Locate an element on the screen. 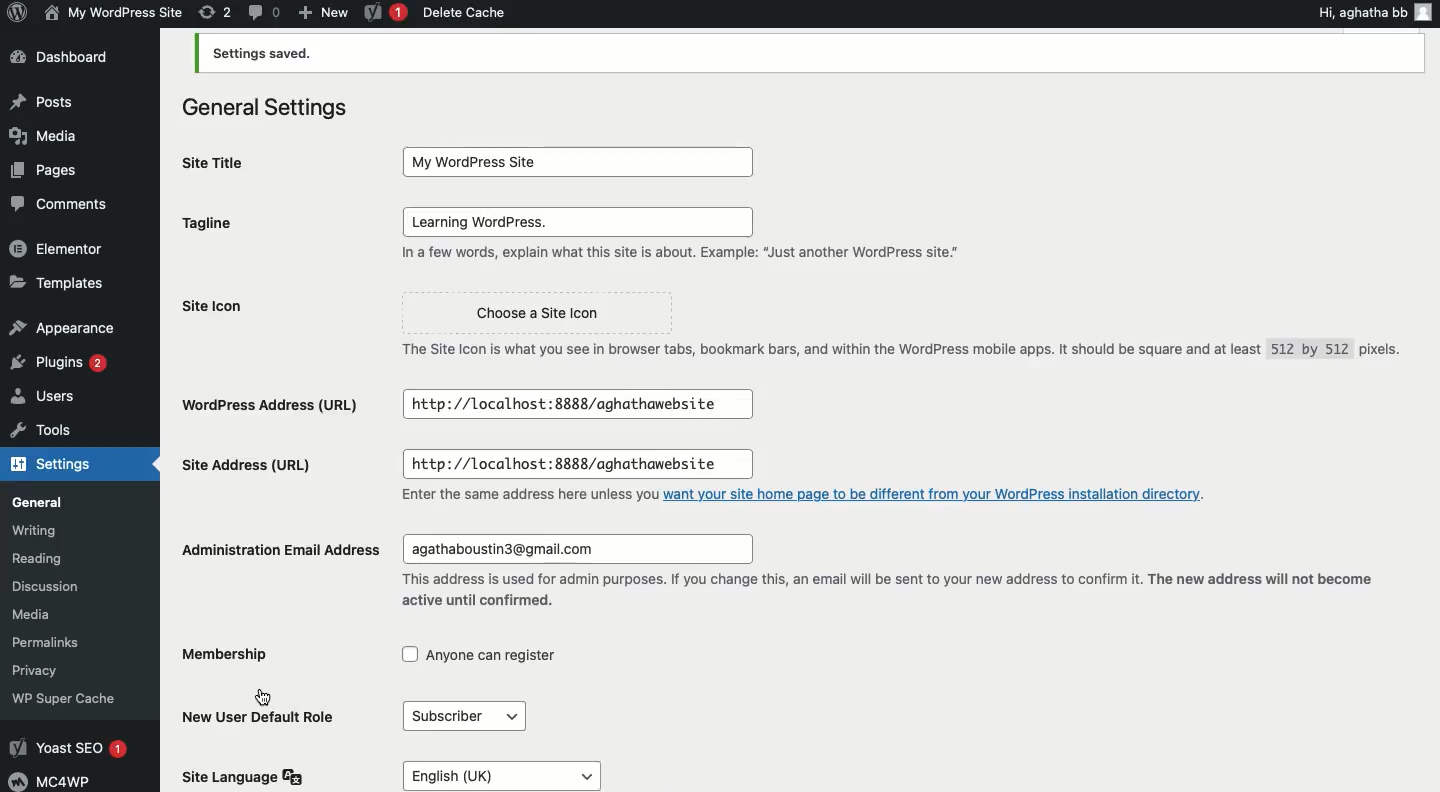 This screenshot has width=1440, height=792. Yoast SEO 1 is located at coordinates (75, 746).